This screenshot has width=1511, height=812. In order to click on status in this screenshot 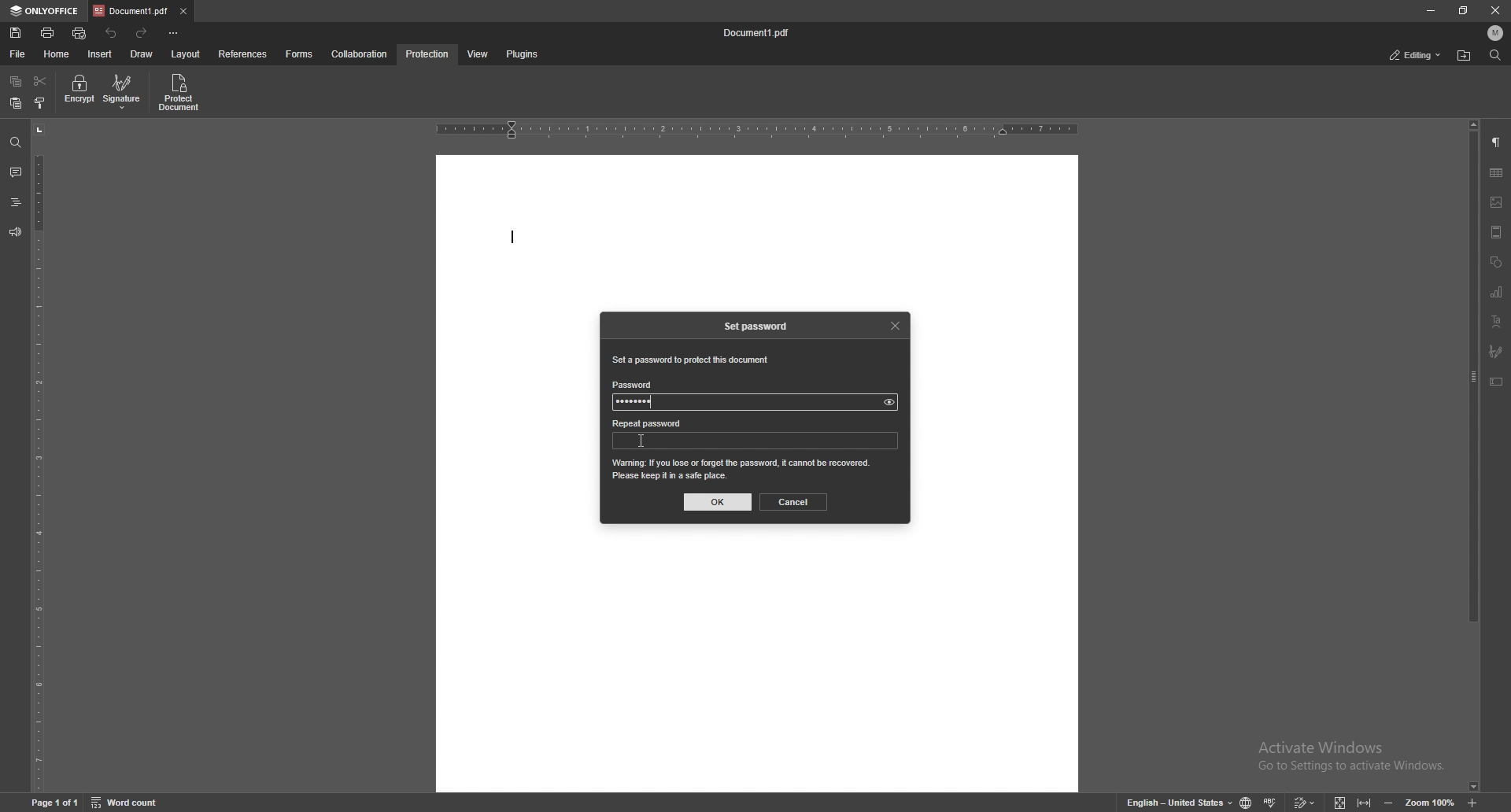, I will do `click(1416, 55)`.